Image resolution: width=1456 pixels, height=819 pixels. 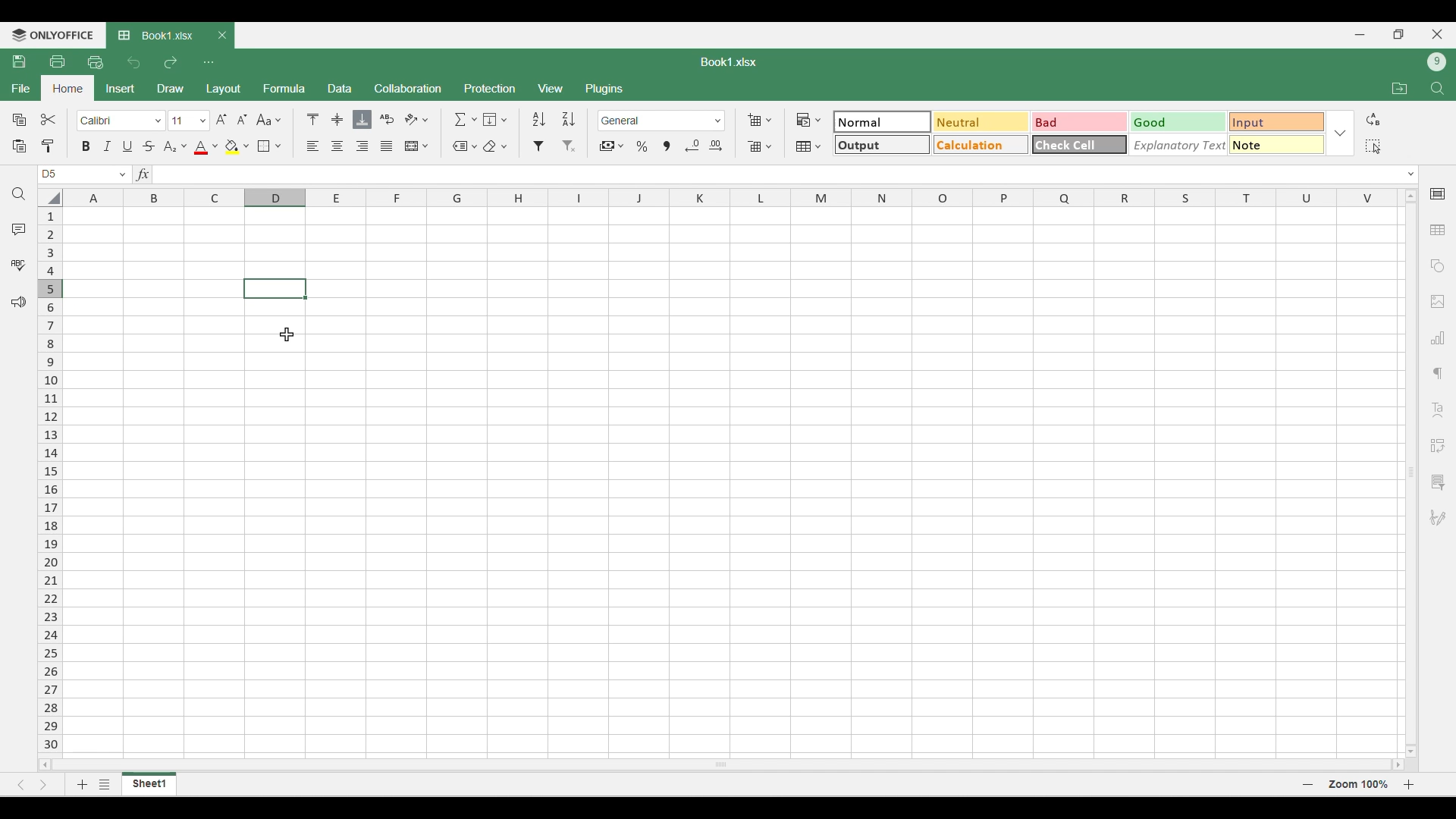 What do you see at coordinates (206, 148) in the screenshot?
I see `Text color` at bounding box center [206, 148].